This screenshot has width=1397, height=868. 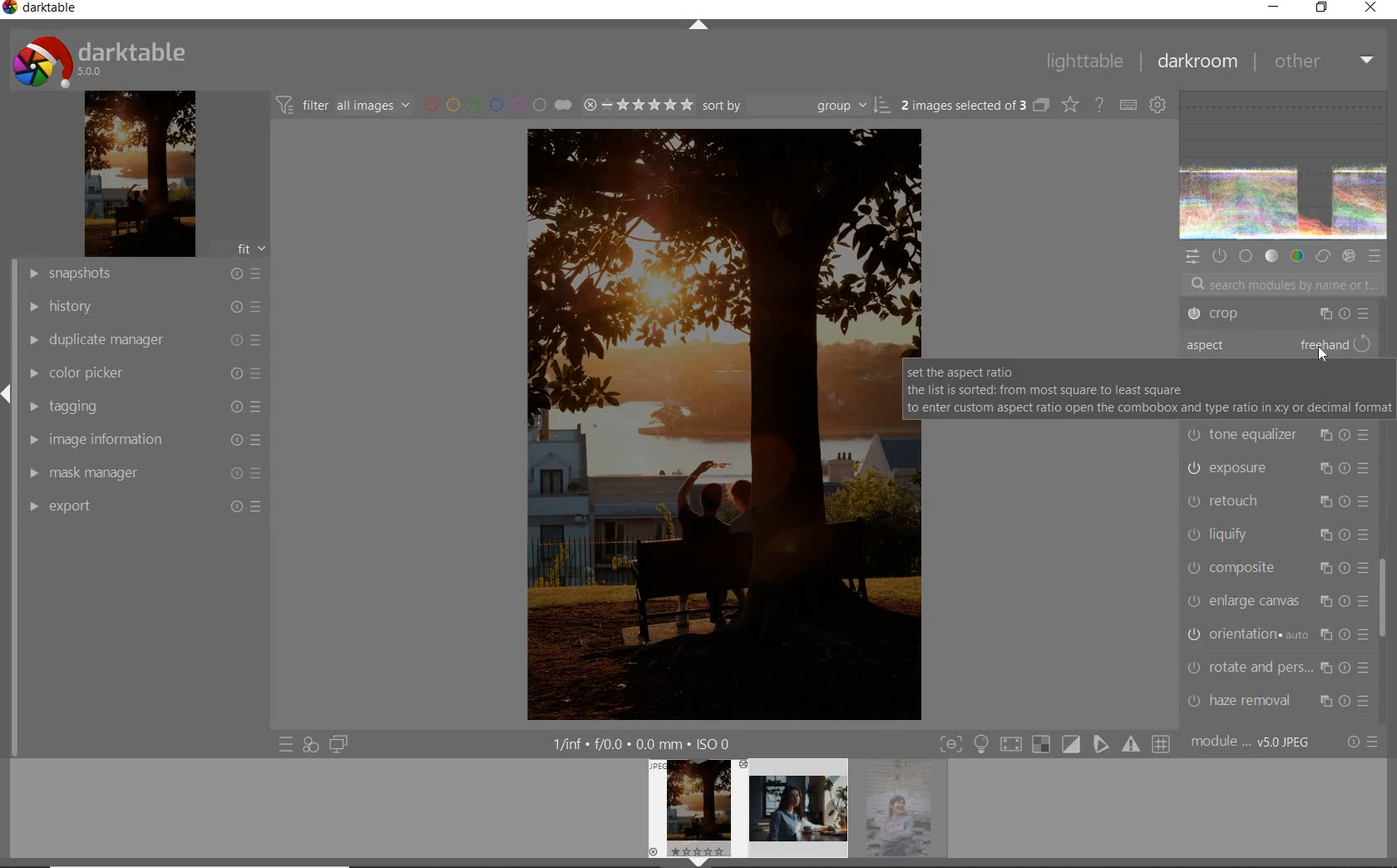 I want to click on expand/collapse, so click(x=8, y=392).